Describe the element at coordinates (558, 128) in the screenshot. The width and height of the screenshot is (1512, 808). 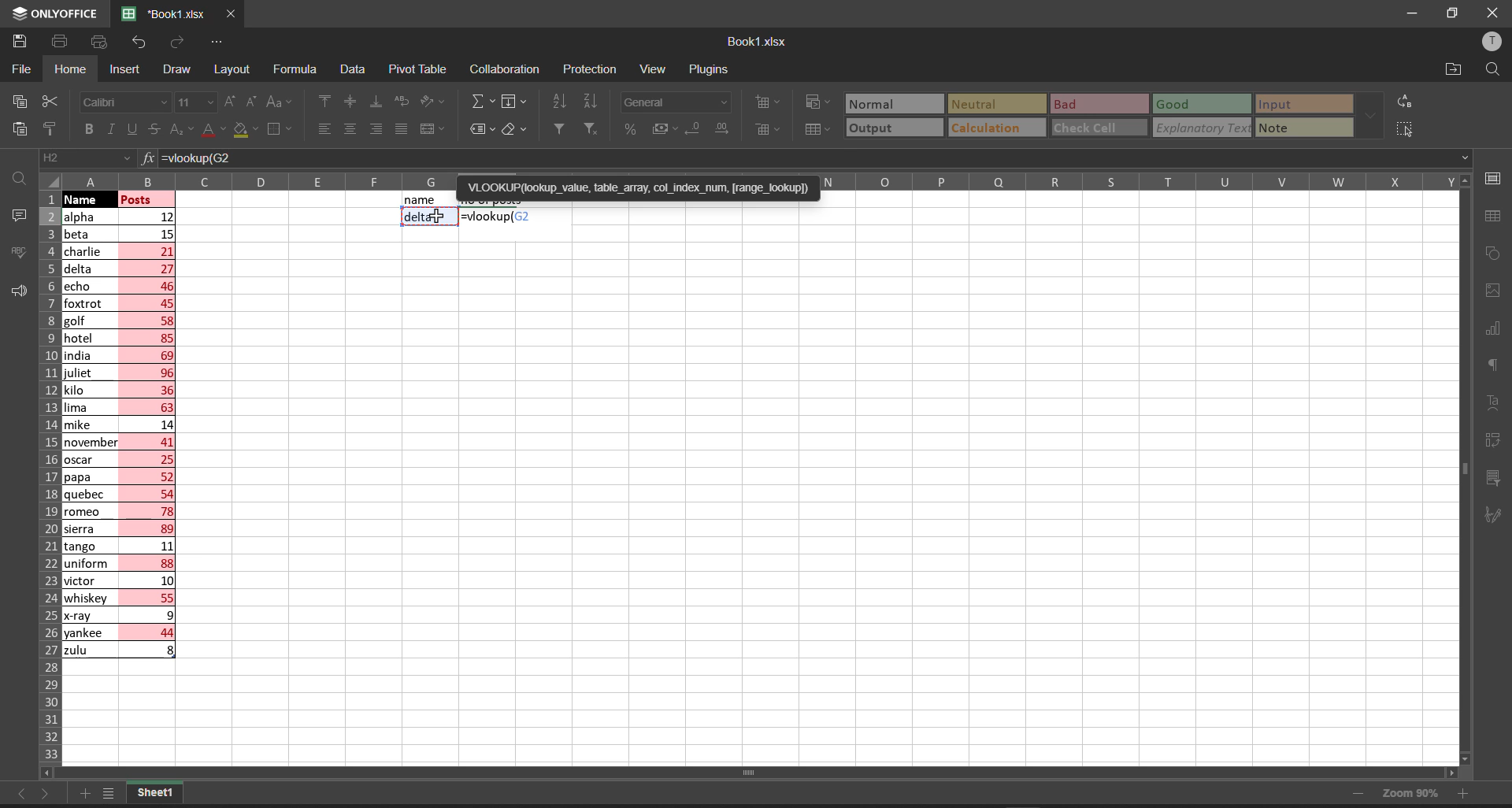
I see `filter` at that location.